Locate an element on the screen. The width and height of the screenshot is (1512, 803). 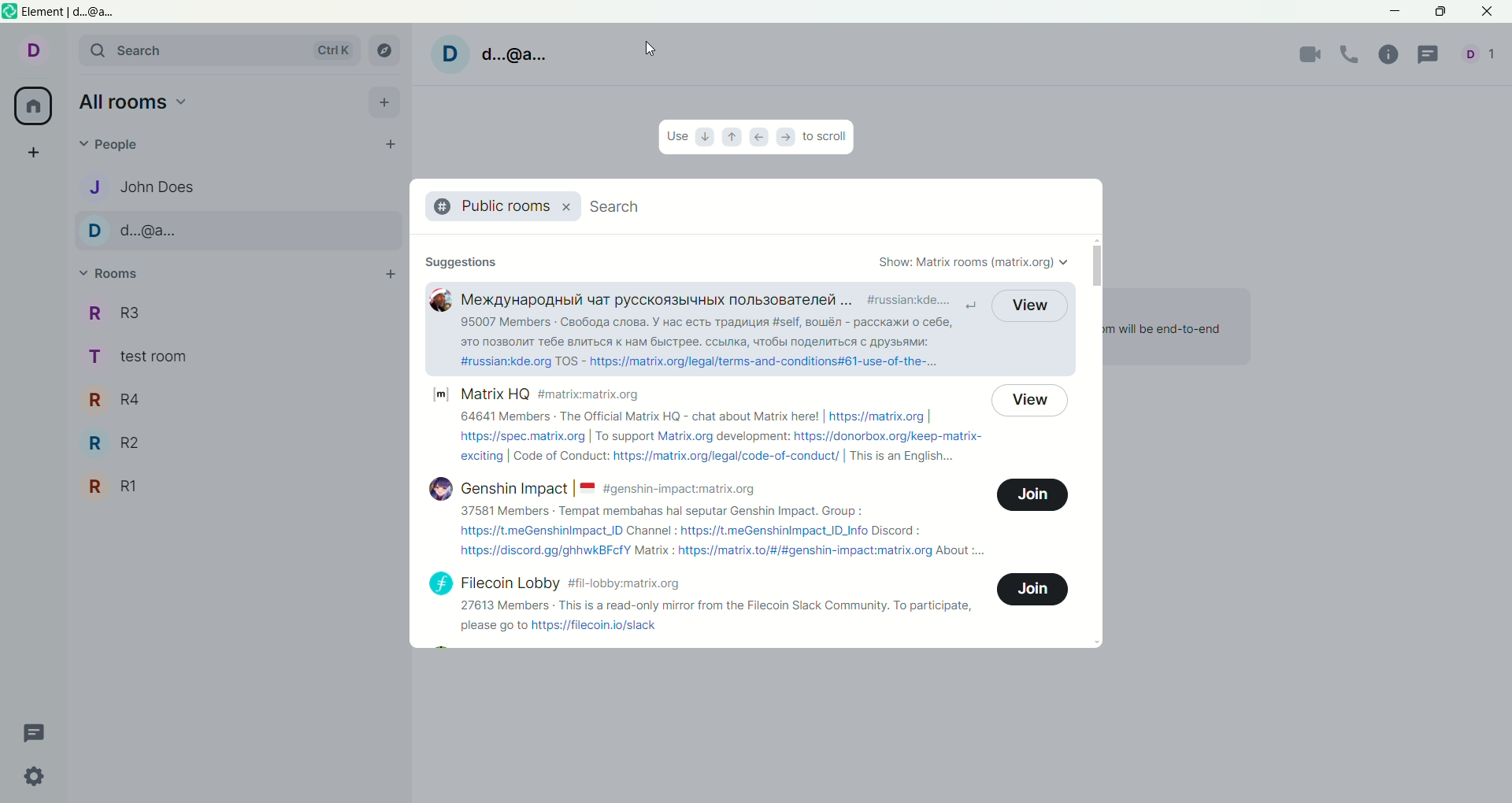
https://t. meGenshinimpact_ID_Info is located at coordinates (775, 531).